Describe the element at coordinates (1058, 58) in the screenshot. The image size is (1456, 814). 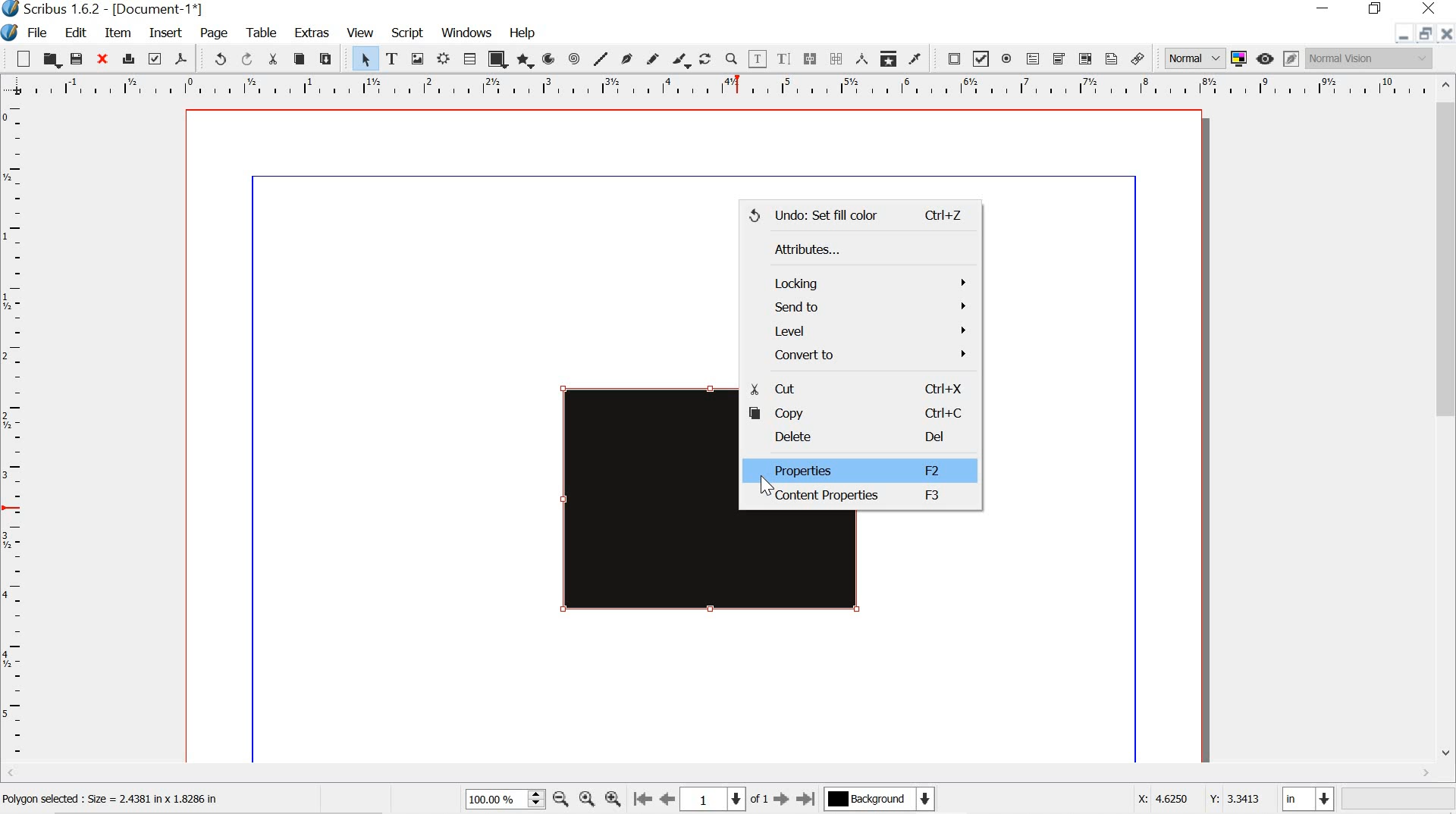
I see `pdf combo box` at that location.